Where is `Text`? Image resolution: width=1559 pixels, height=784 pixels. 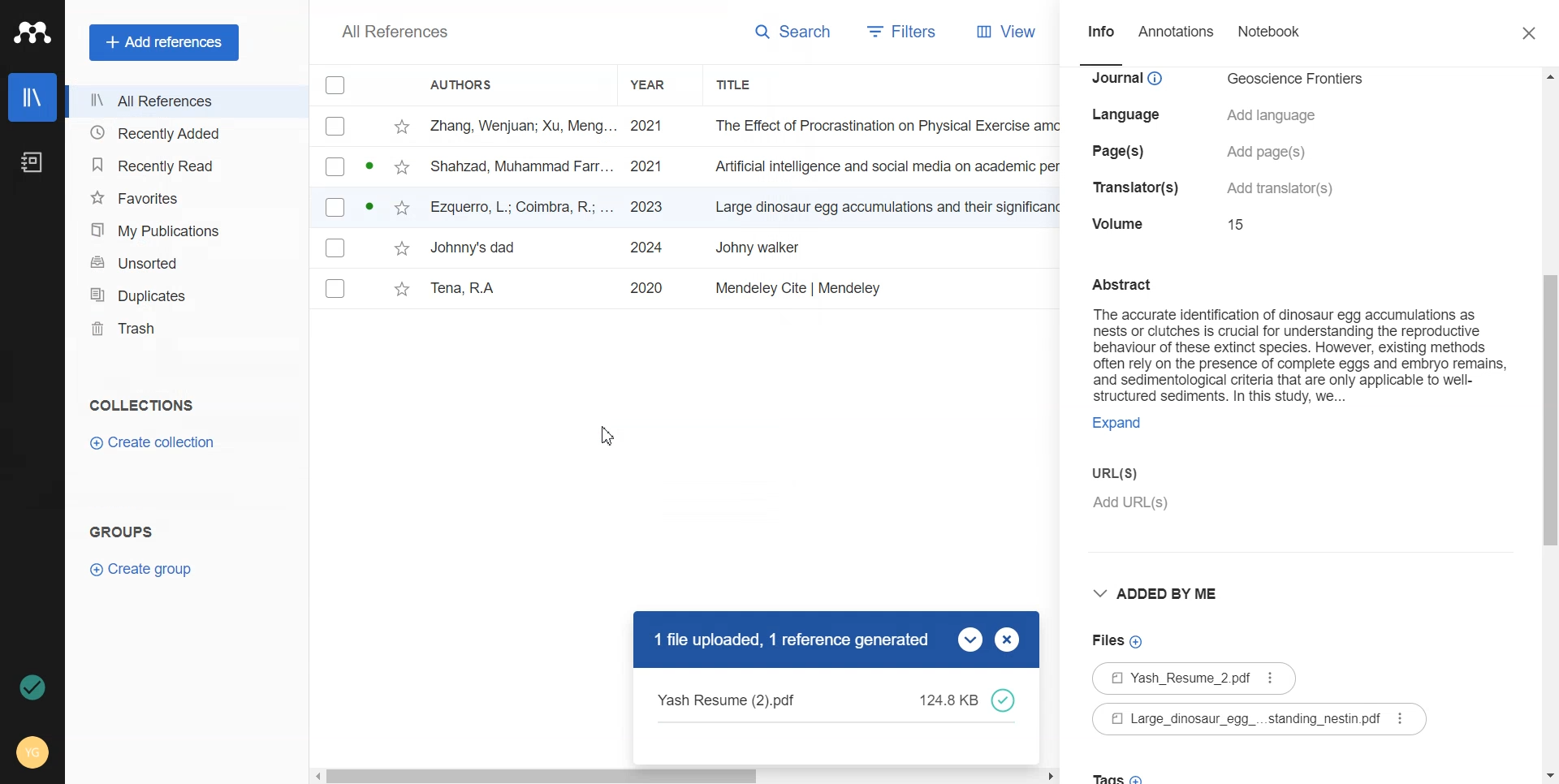 Text is located at coordinates (128, 529).